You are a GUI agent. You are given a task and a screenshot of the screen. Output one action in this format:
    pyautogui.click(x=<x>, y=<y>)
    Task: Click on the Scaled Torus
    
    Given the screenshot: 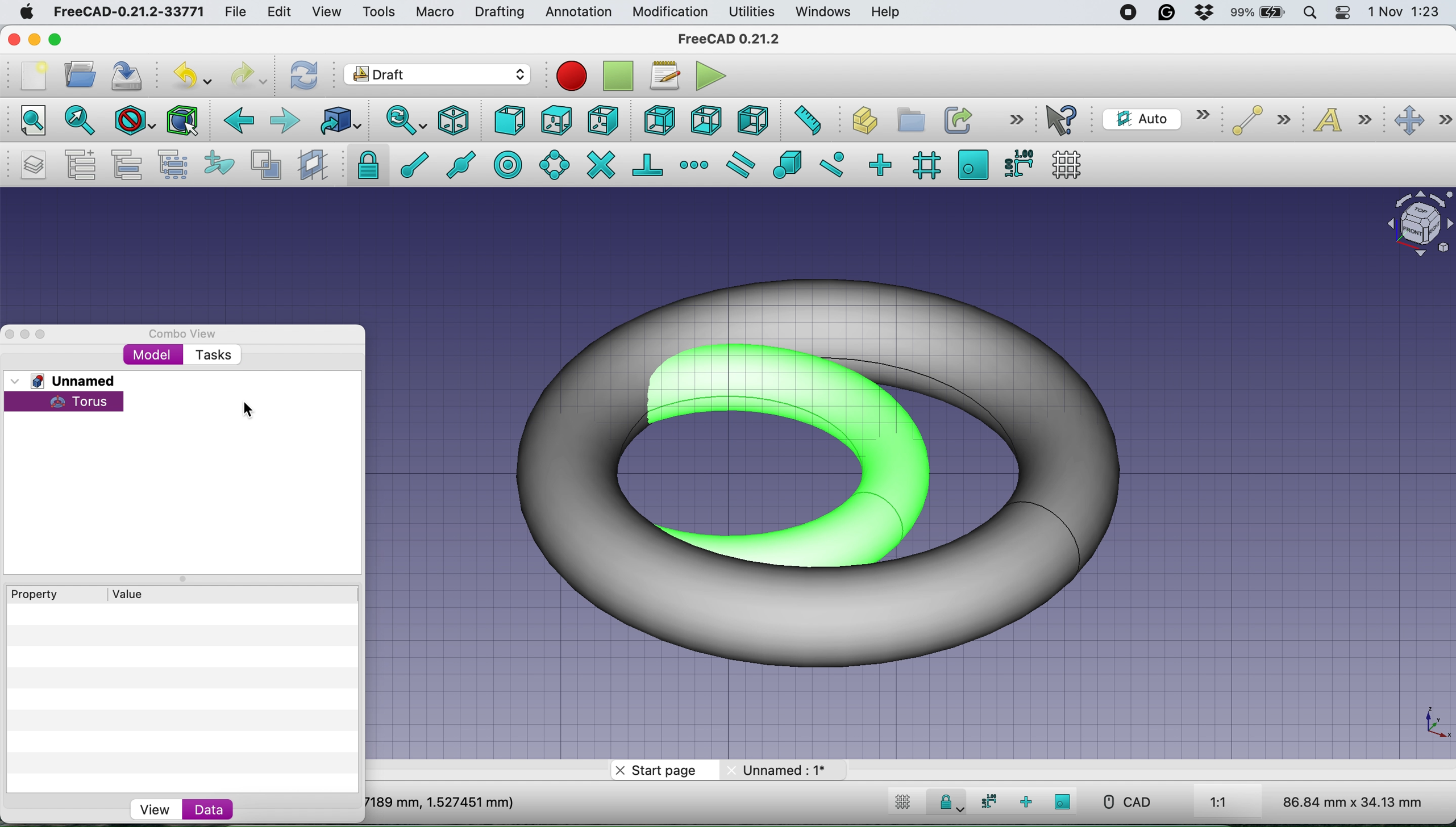 What is the action you would take?
    pyautogui.click(x=835, y=469)
    